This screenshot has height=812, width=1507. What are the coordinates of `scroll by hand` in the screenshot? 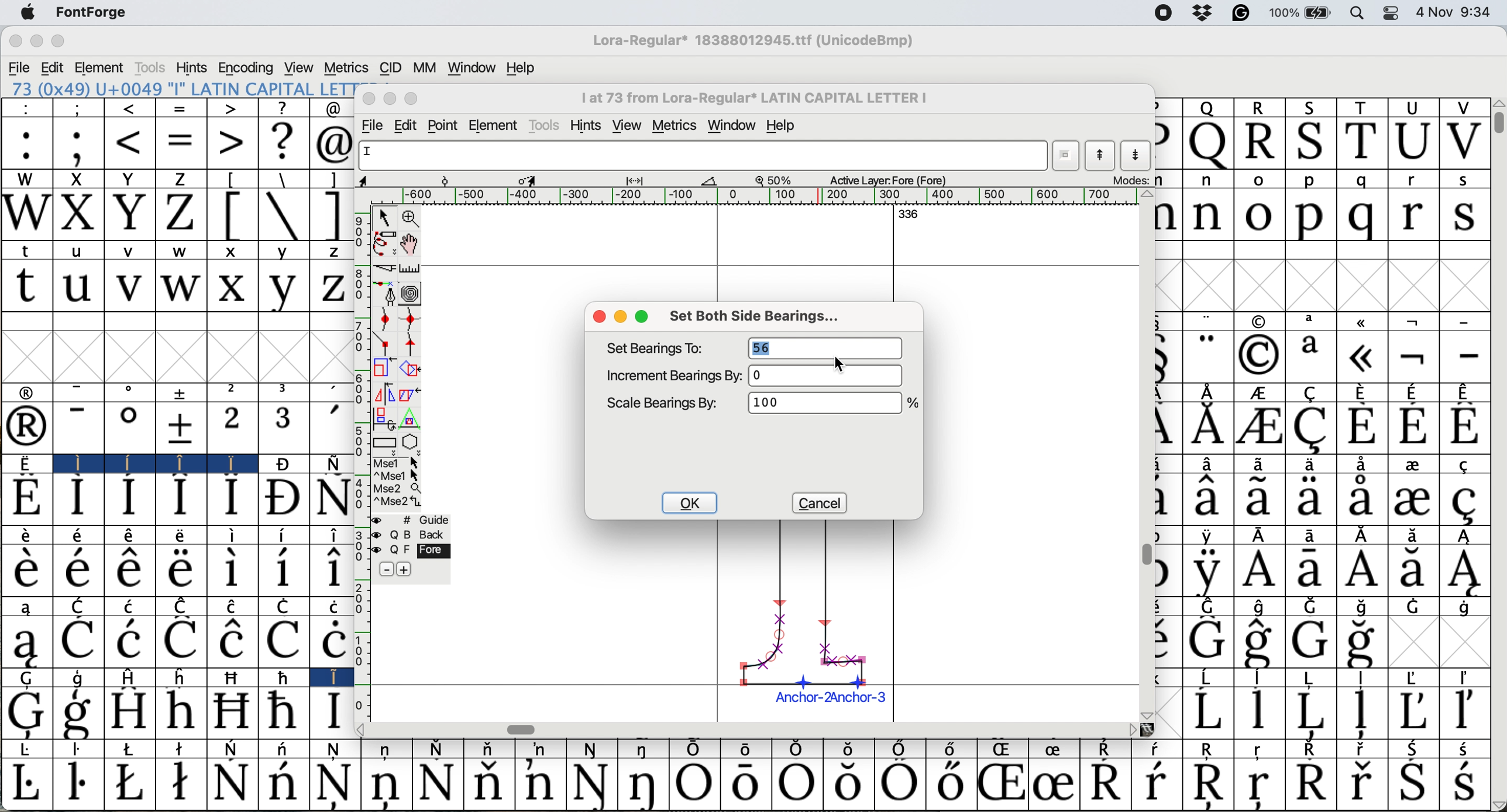 It's located at (411, 243).